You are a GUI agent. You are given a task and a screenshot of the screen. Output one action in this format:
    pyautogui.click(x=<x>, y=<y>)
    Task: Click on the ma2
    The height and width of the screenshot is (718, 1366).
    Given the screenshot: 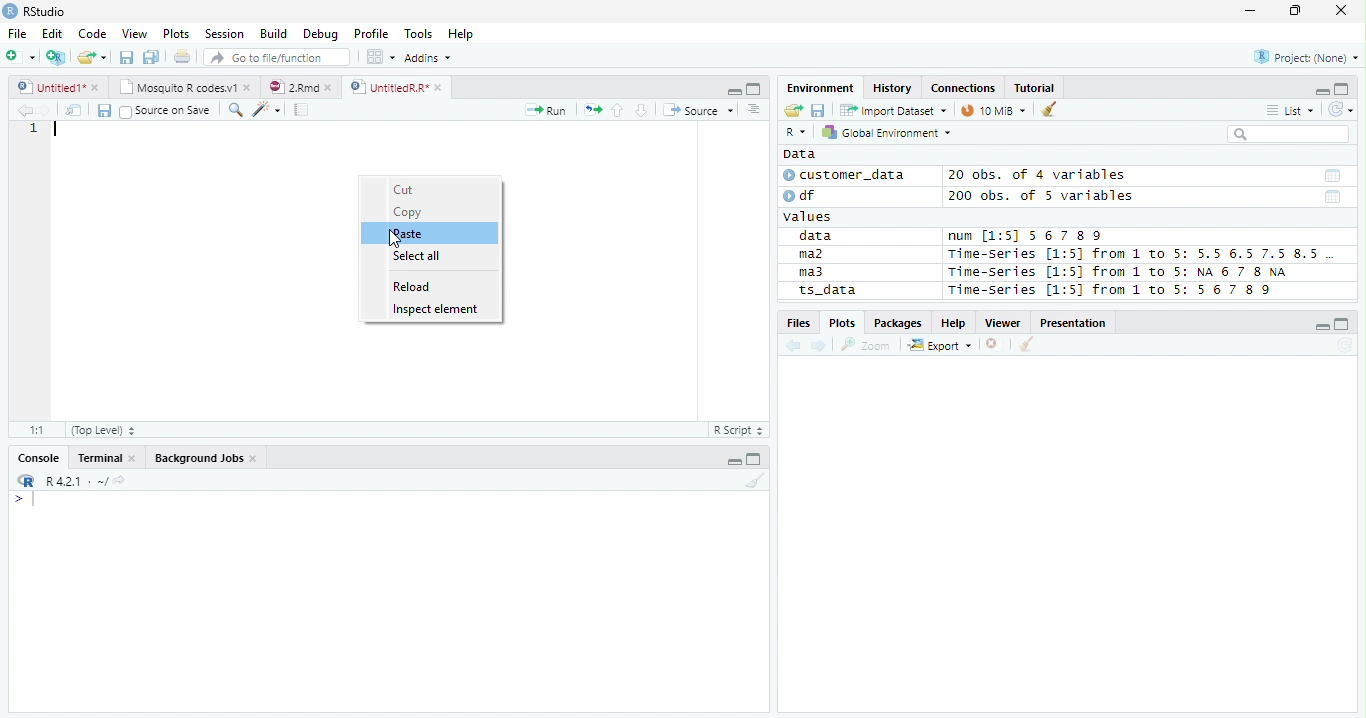 What is the action you would take?
    pyautogui.click(x=816, y=256)
    